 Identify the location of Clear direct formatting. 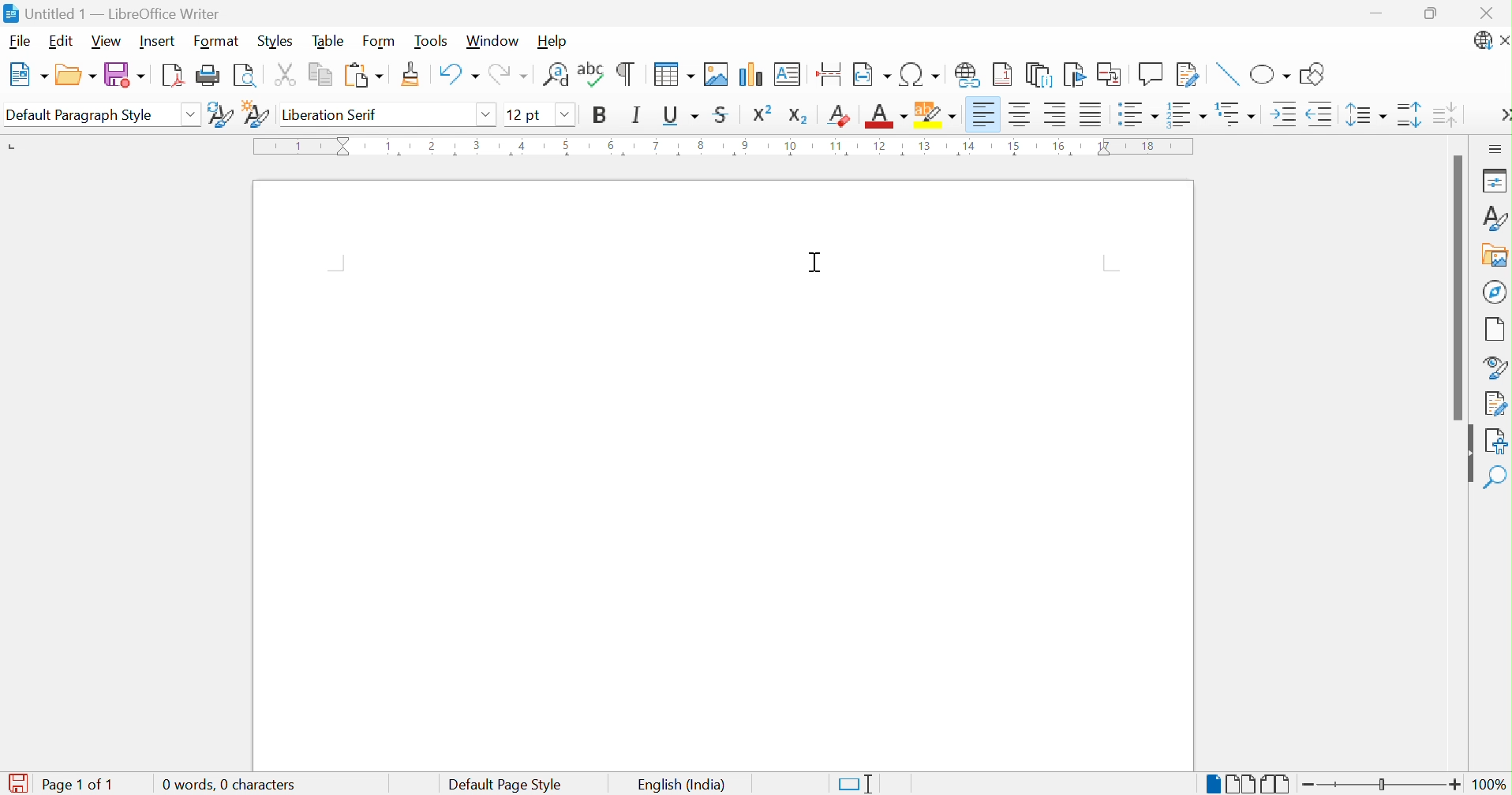
(840, 116).